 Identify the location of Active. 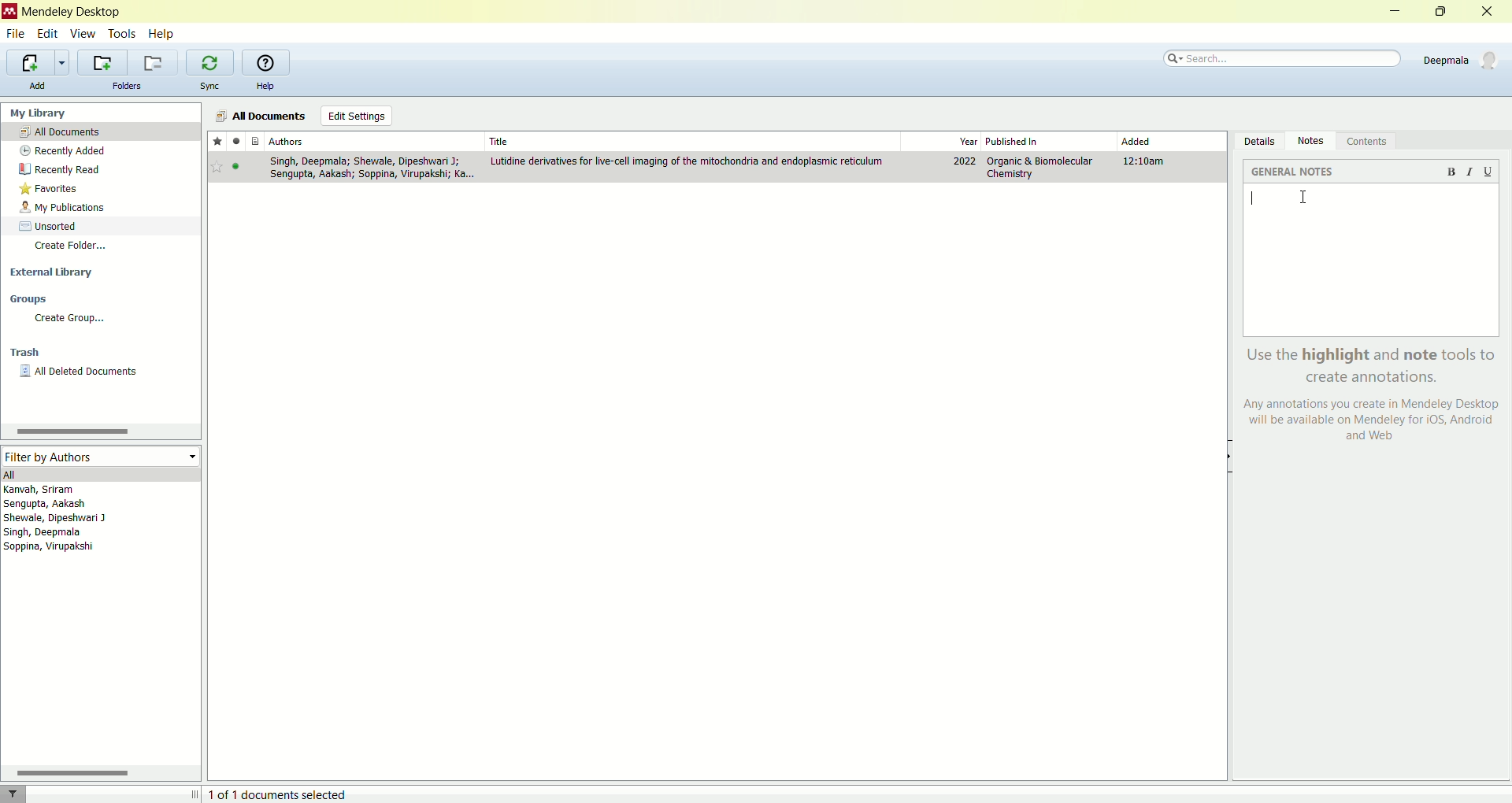
(238, 169).